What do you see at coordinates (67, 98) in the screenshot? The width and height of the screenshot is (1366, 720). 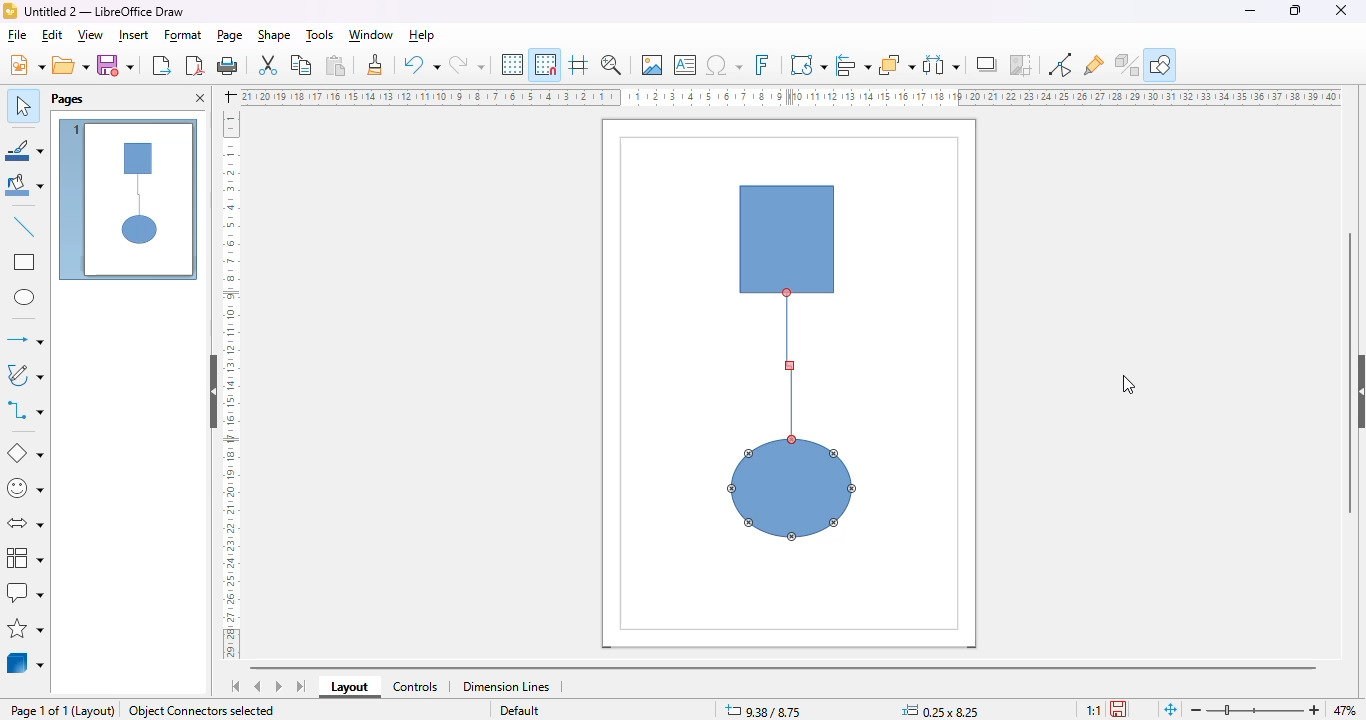 I see `pages` at bounding box center [67, 98].